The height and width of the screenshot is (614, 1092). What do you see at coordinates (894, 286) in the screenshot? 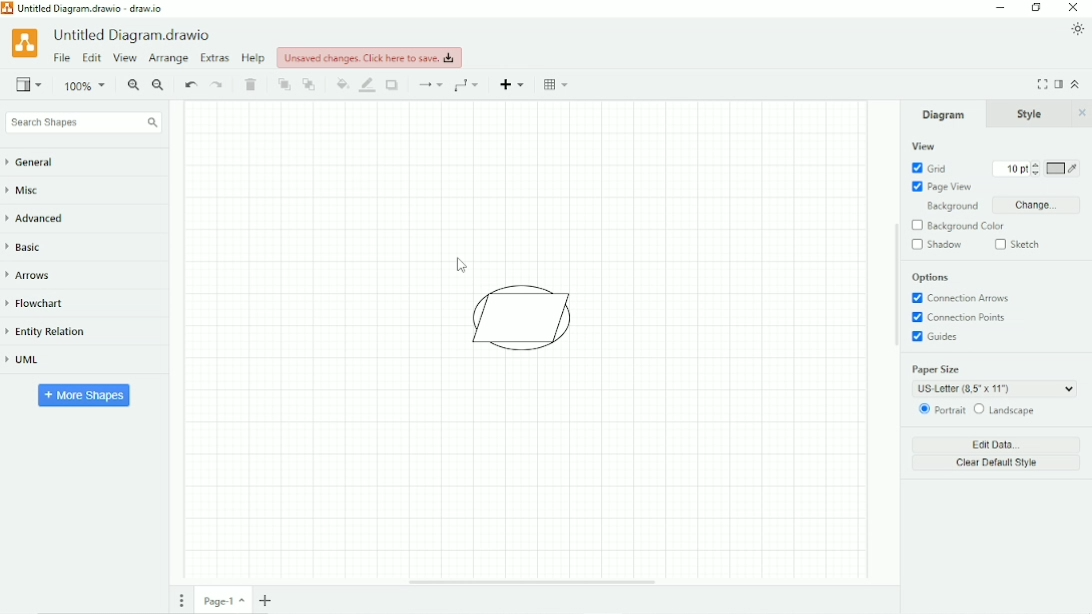
I see `Vertical scrollbar` at bounding box center [894, 286].